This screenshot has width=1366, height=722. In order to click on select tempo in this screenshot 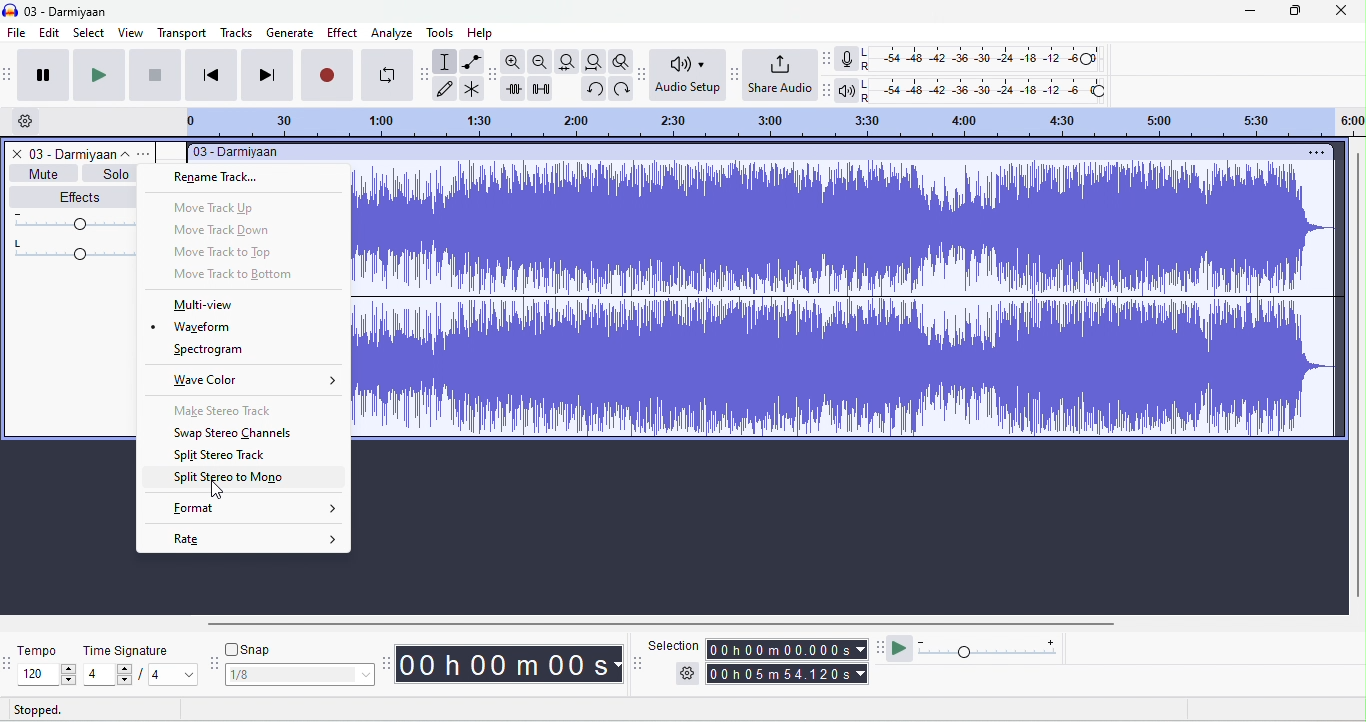, I will do `click(42, 676)`.